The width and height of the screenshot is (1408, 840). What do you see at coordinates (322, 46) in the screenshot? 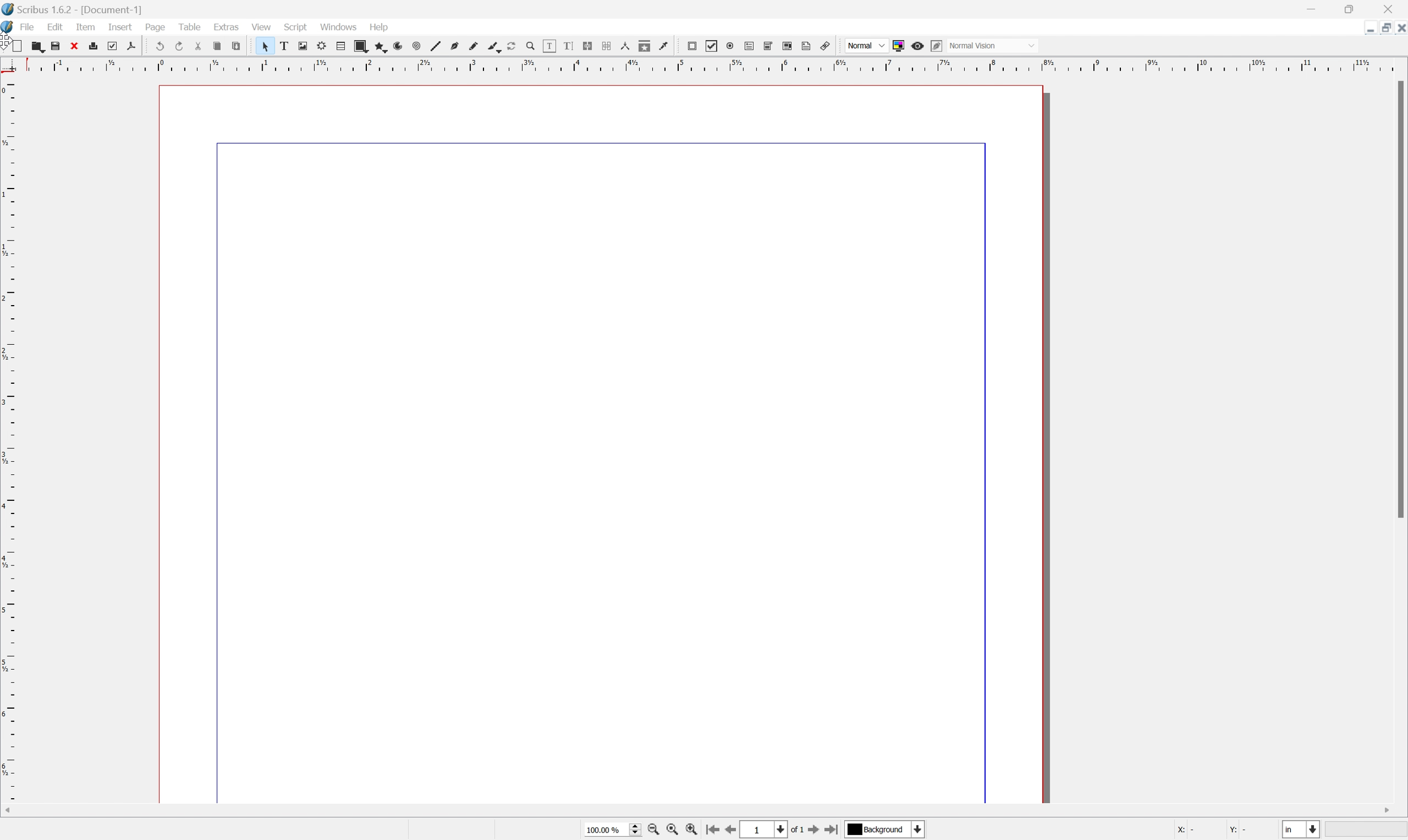
I see `render frame` at bounding box center [322, 46].